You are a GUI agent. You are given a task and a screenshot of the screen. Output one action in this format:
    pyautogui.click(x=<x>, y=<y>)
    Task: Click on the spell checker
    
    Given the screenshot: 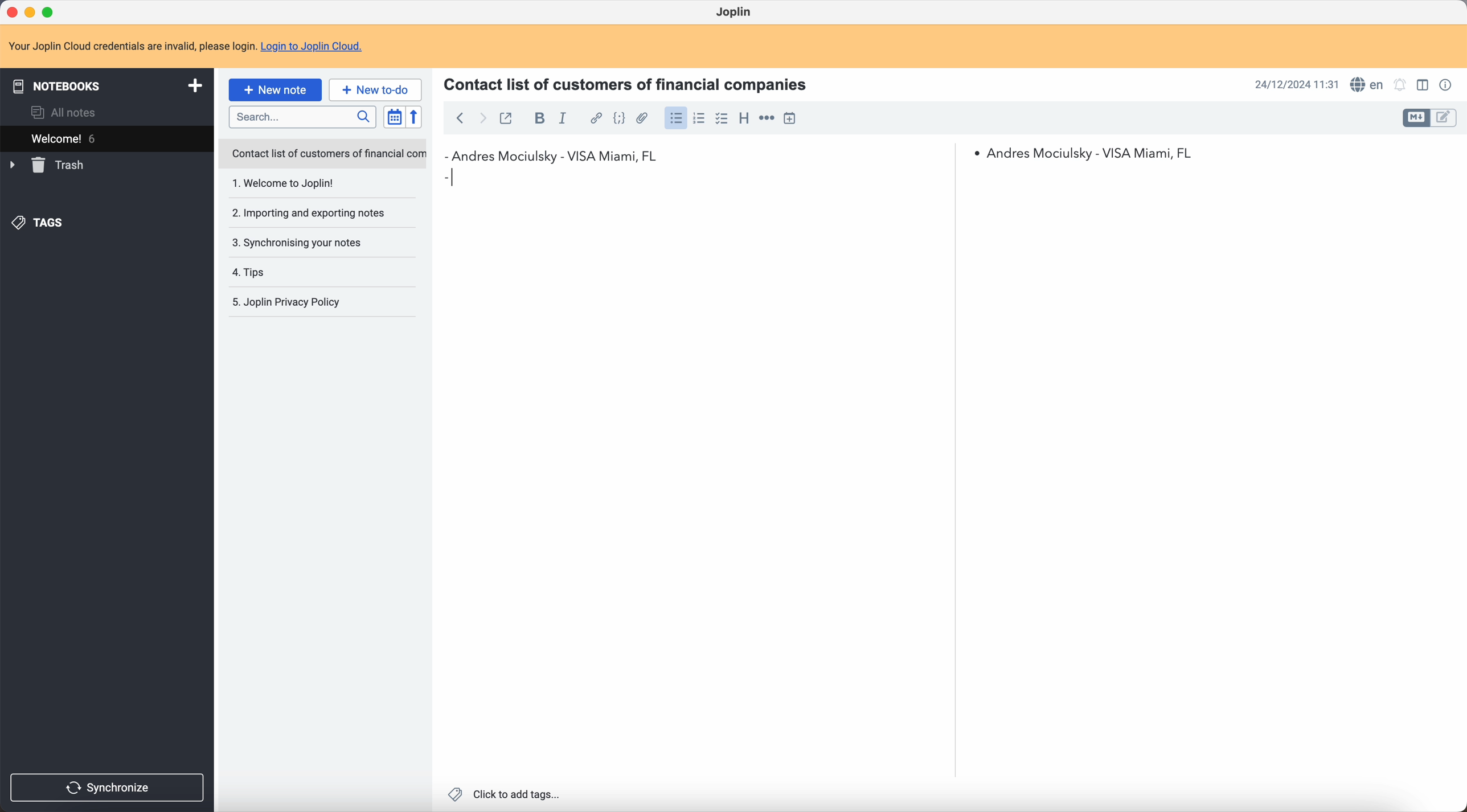 What is the action you would take?
    pyautogui.click(x=1367, y=84)
    